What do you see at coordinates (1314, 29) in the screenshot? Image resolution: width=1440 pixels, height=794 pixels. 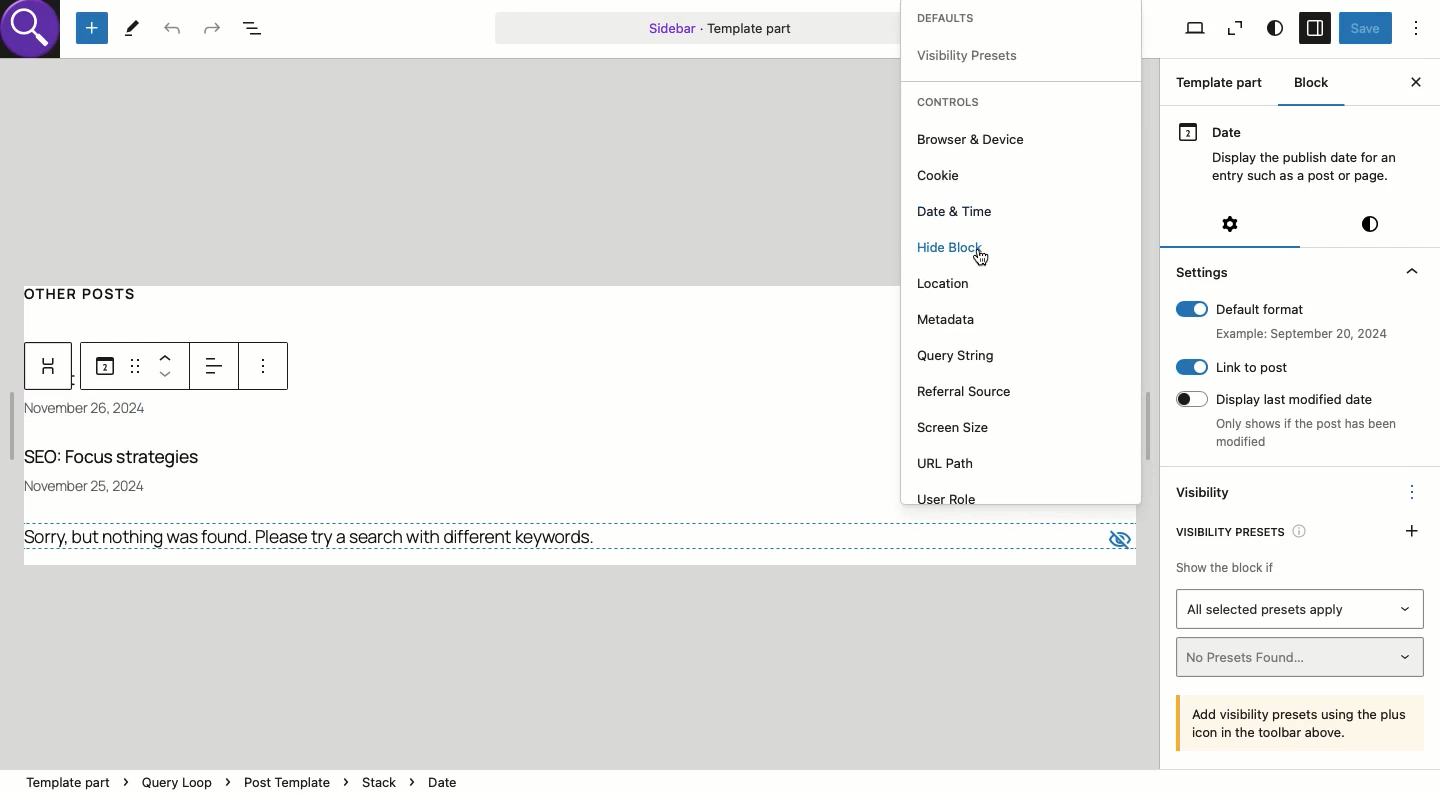 I see `Sidebar ` at bounding box center [1314, 29].